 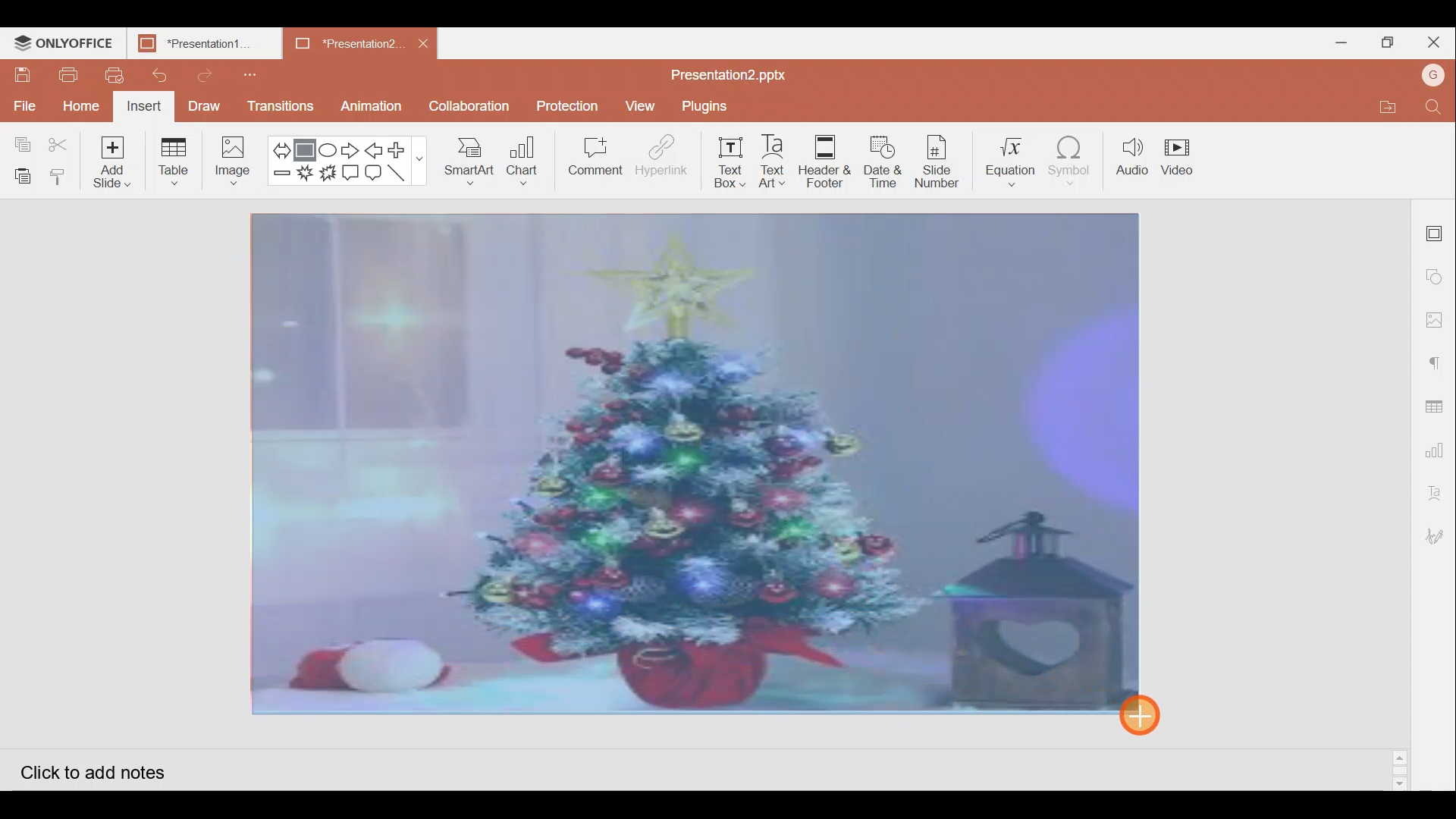 I want to click on Right arrow, so click(x=351, y=148).